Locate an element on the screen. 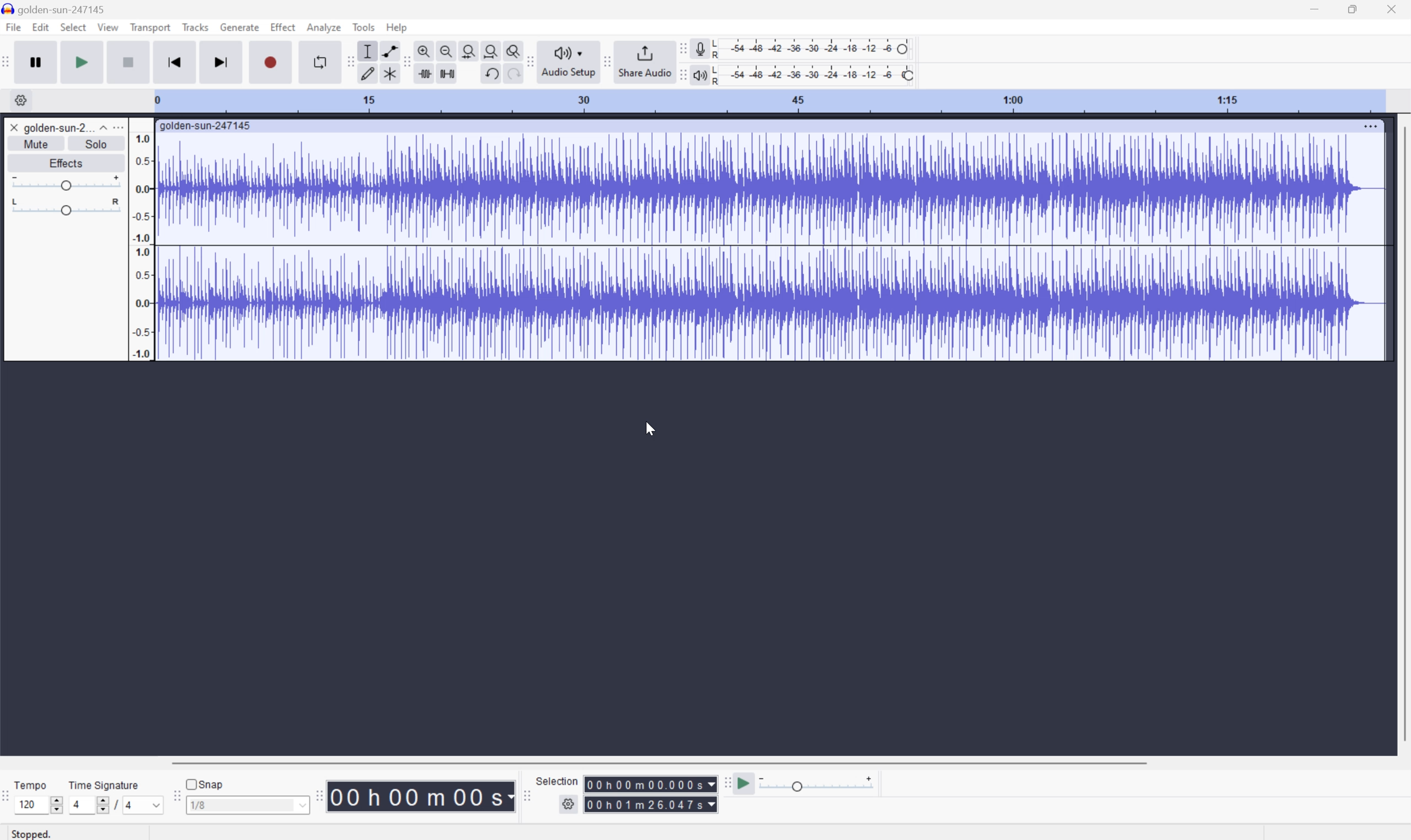 The height and width of the screenshot is (840, 1411). Scroll Bar is located at coordinates (659, 762).